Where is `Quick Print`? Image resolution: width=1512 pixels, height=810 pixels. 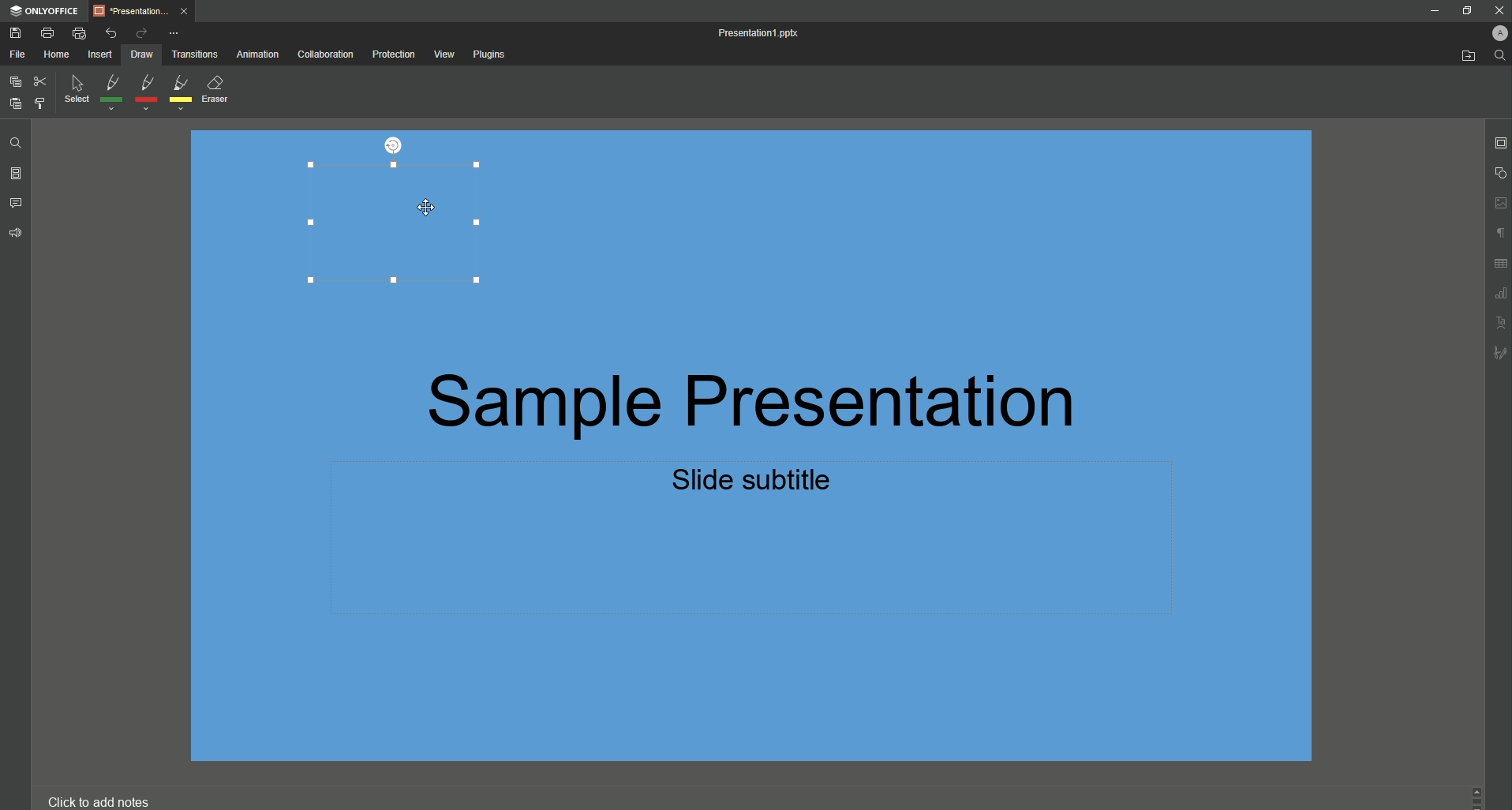 Quick Print is located at coordinates (80, 32).